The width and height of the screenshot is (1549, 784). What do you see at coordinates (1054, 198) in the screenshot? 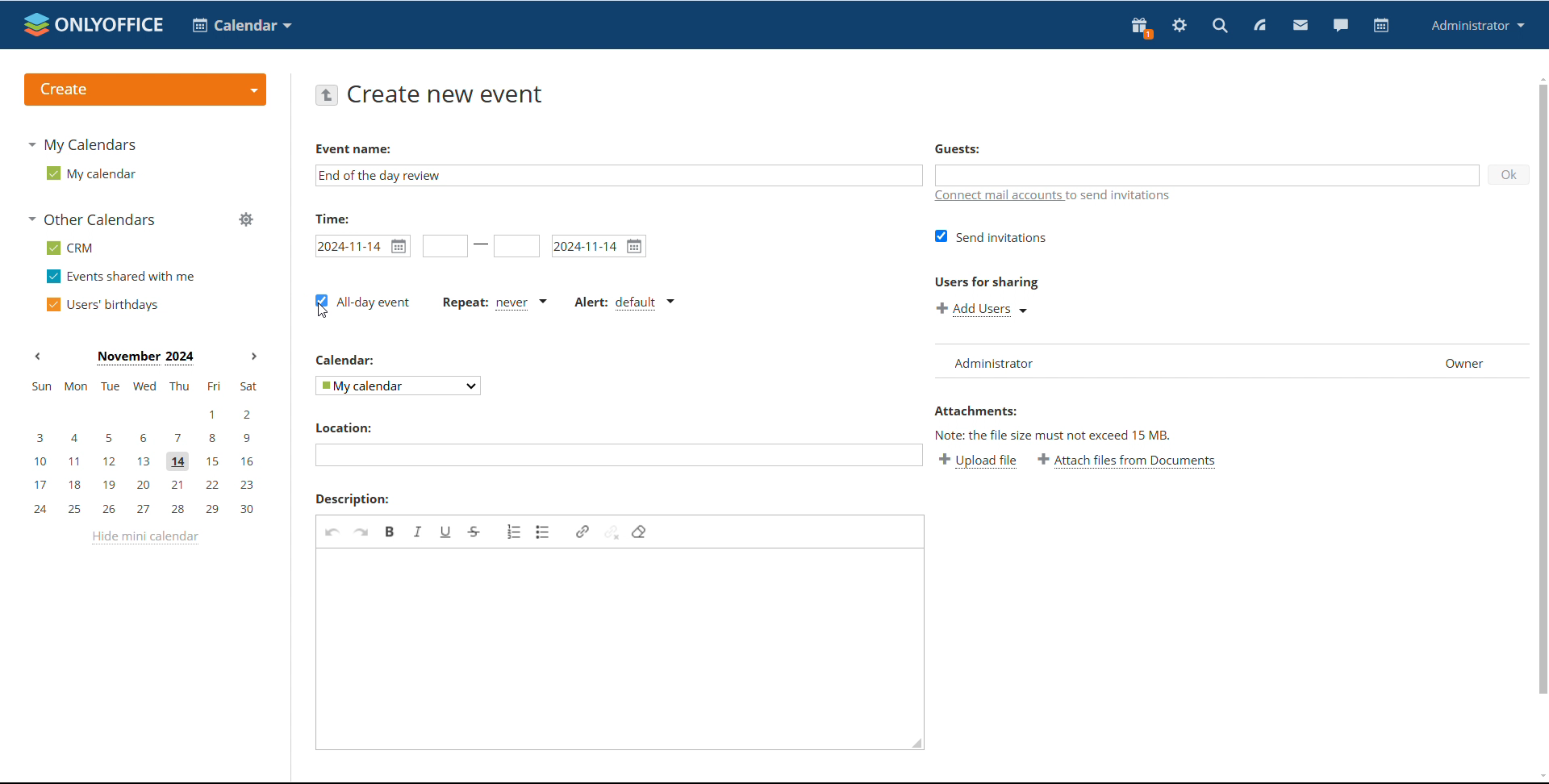
I see `connect mail accounts` at bounding box center [1054, 198].